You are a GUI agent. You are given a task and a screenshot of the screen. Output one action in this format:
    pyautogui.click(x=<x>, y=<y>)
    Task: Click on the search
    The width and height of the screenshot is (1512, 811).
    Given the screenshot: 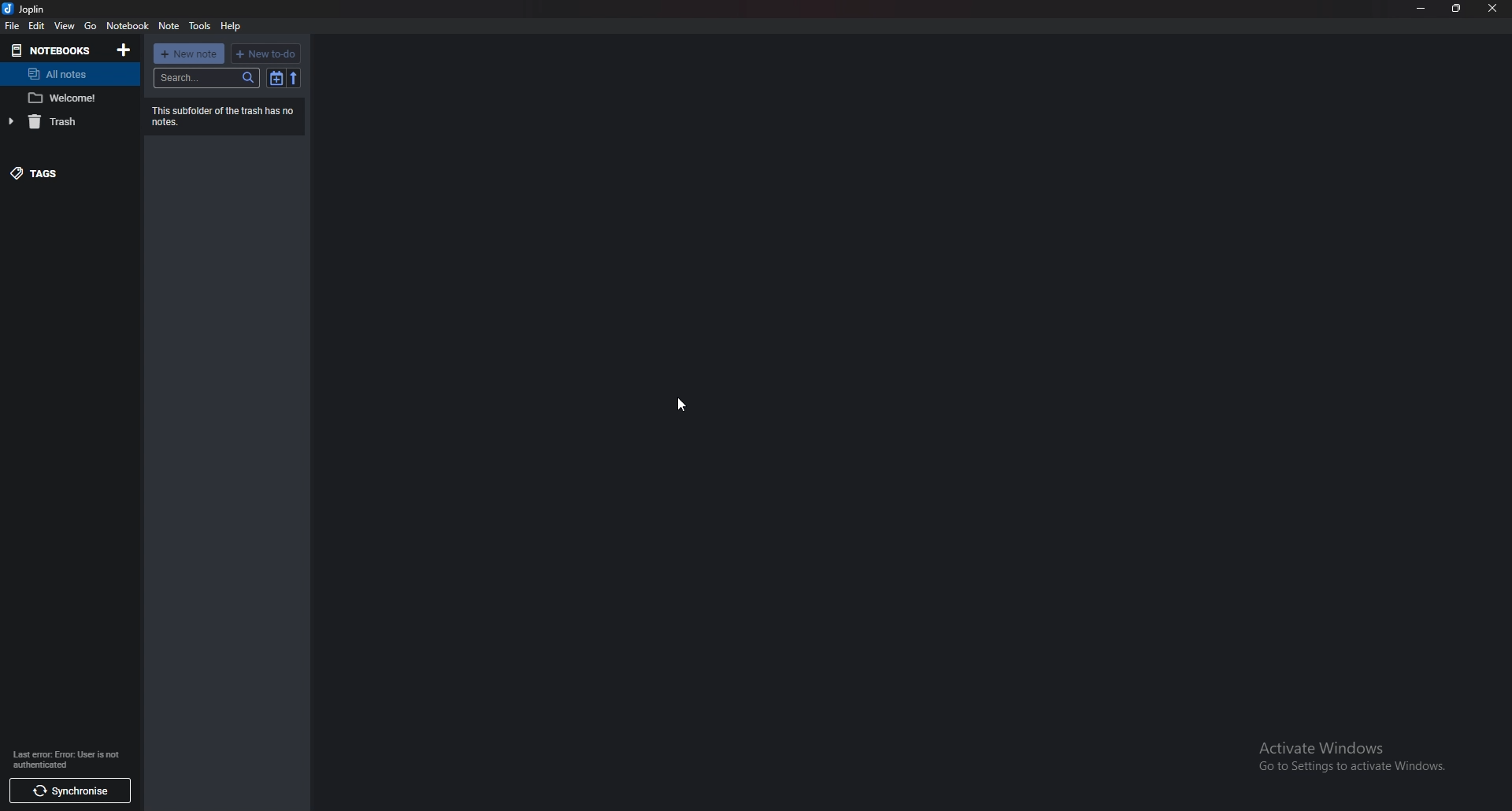 What is the action you would take?
    pyautogui.click(x=206, y=77)
    